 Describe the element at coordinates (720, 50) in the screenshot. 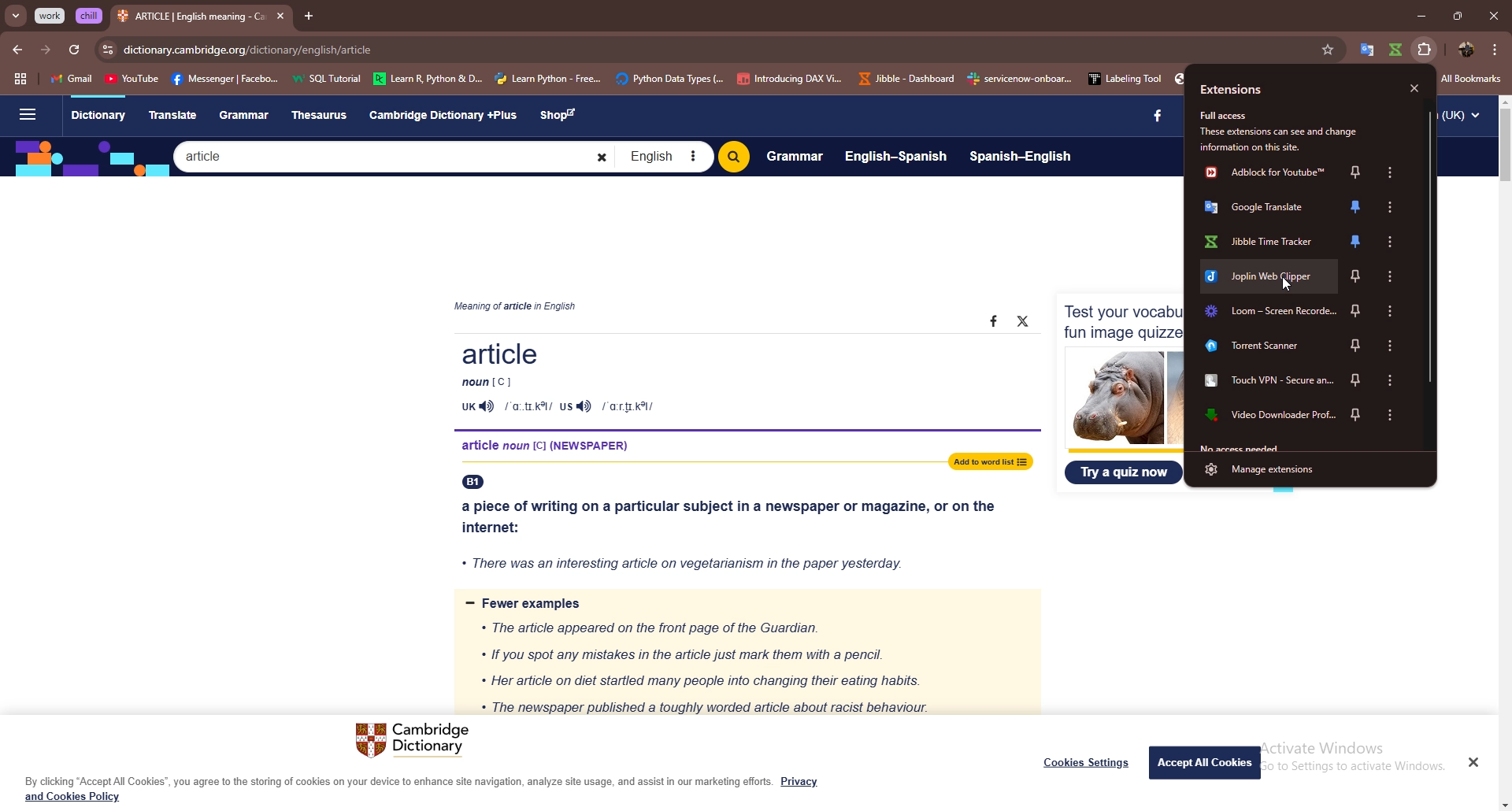

I see `search bar` at that location.